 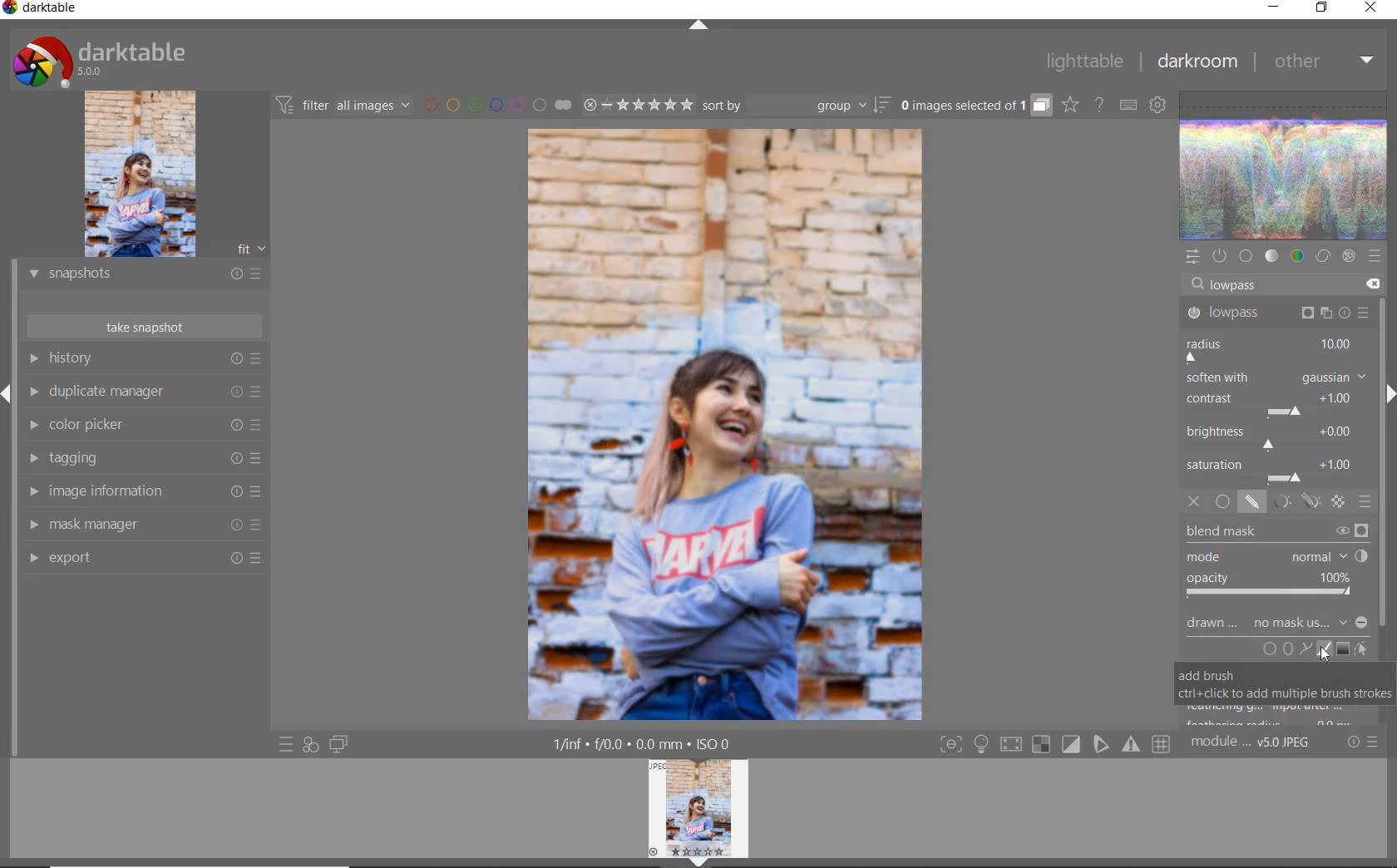 What do you see at coordinates (1197, 62) in the screenshot?
I see `darkroom` at bounding box center [1197, 62].